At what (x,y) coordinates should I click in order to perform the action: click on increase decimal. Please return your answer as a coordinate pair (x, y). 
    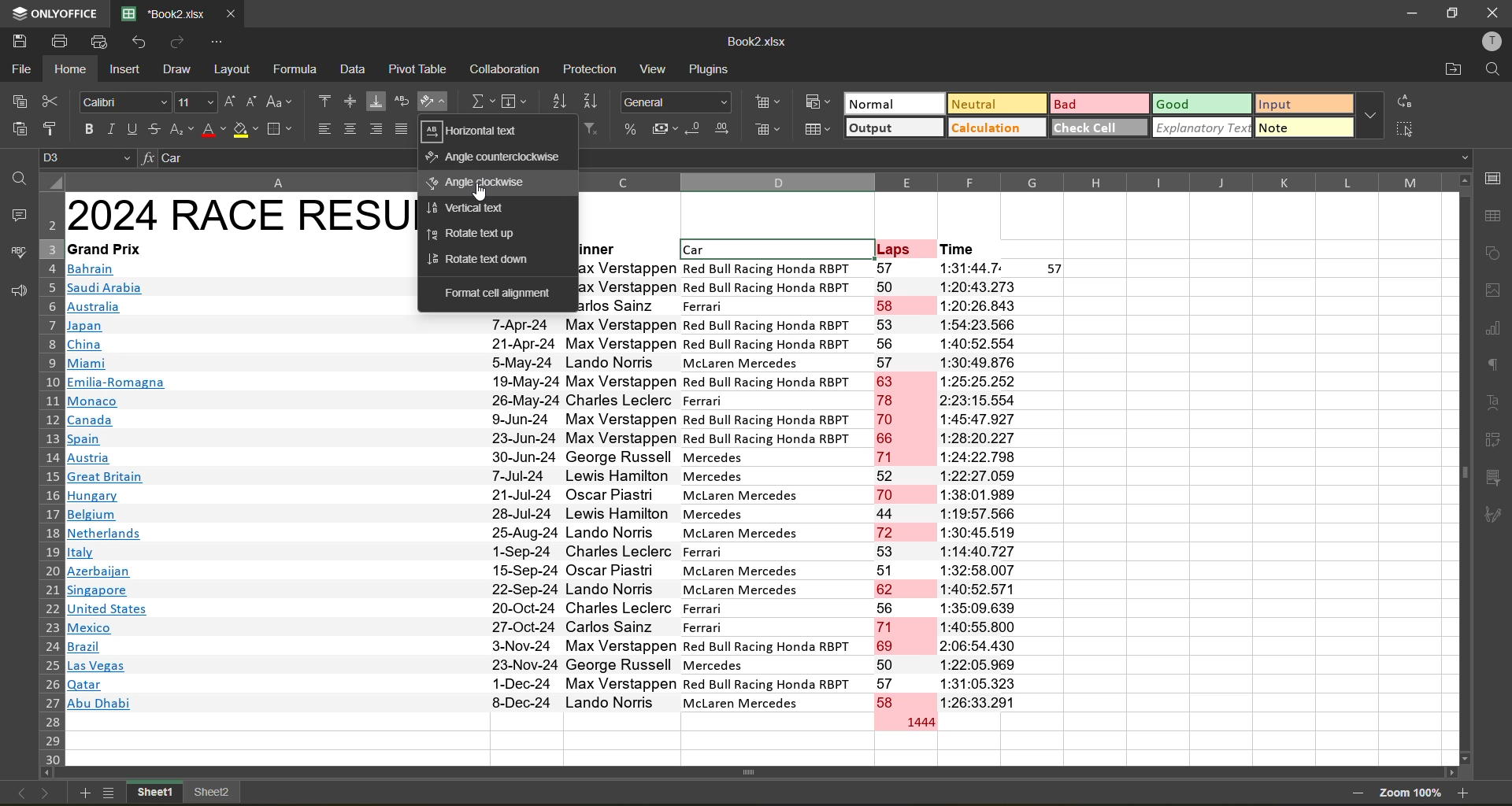
    Looking at the image, I should click on (724, 131).